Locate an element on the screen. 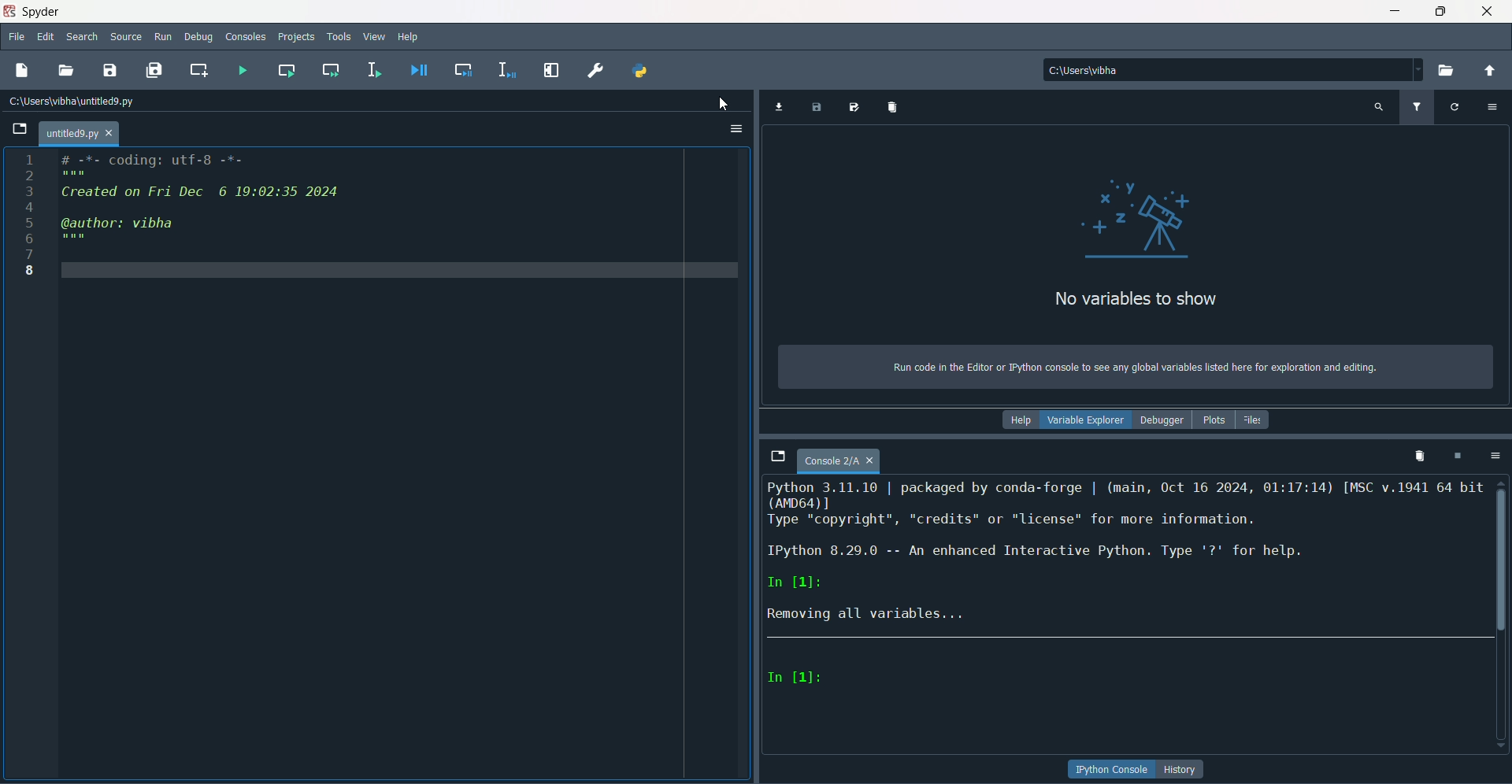 The image size is (1512, 784). tools is located at coordinates (342, 39).